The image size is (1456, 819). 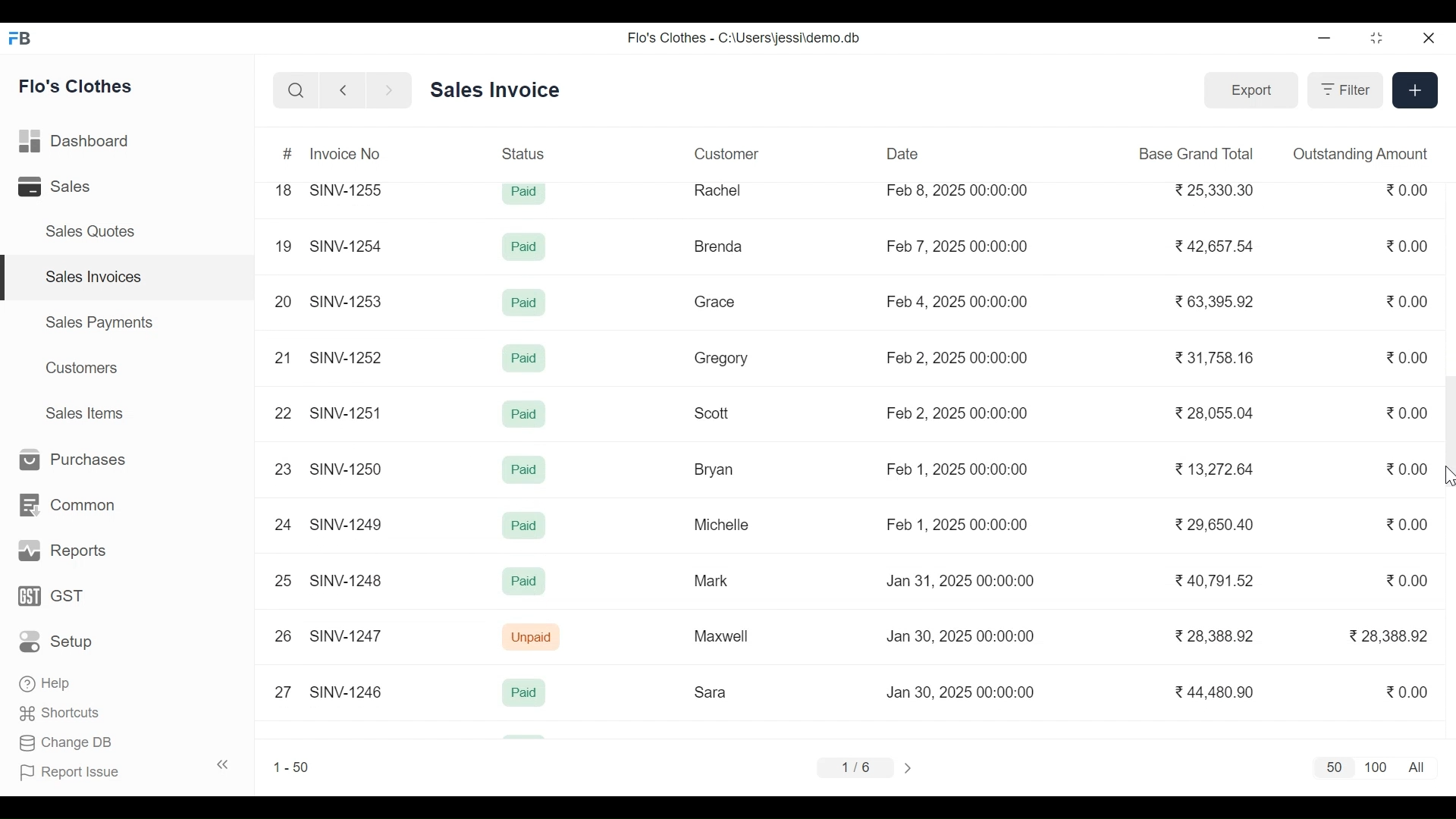 What do you see at coordinates (746, 37) in the screenshot?
I see `Flo's Clothes - C:\Users\jessi\demo.db` at bounding box center [746, 37].